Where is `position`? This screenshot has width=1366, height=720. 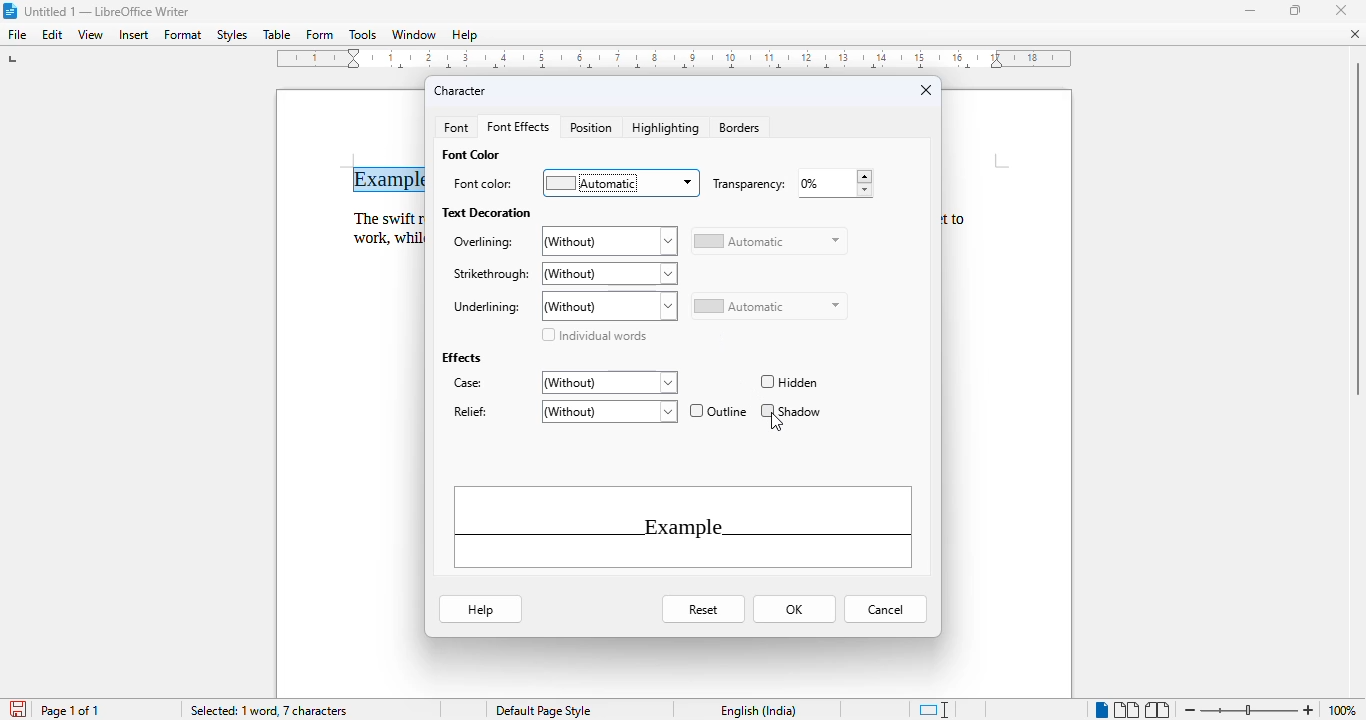 position is located at coordinates (591, 128).